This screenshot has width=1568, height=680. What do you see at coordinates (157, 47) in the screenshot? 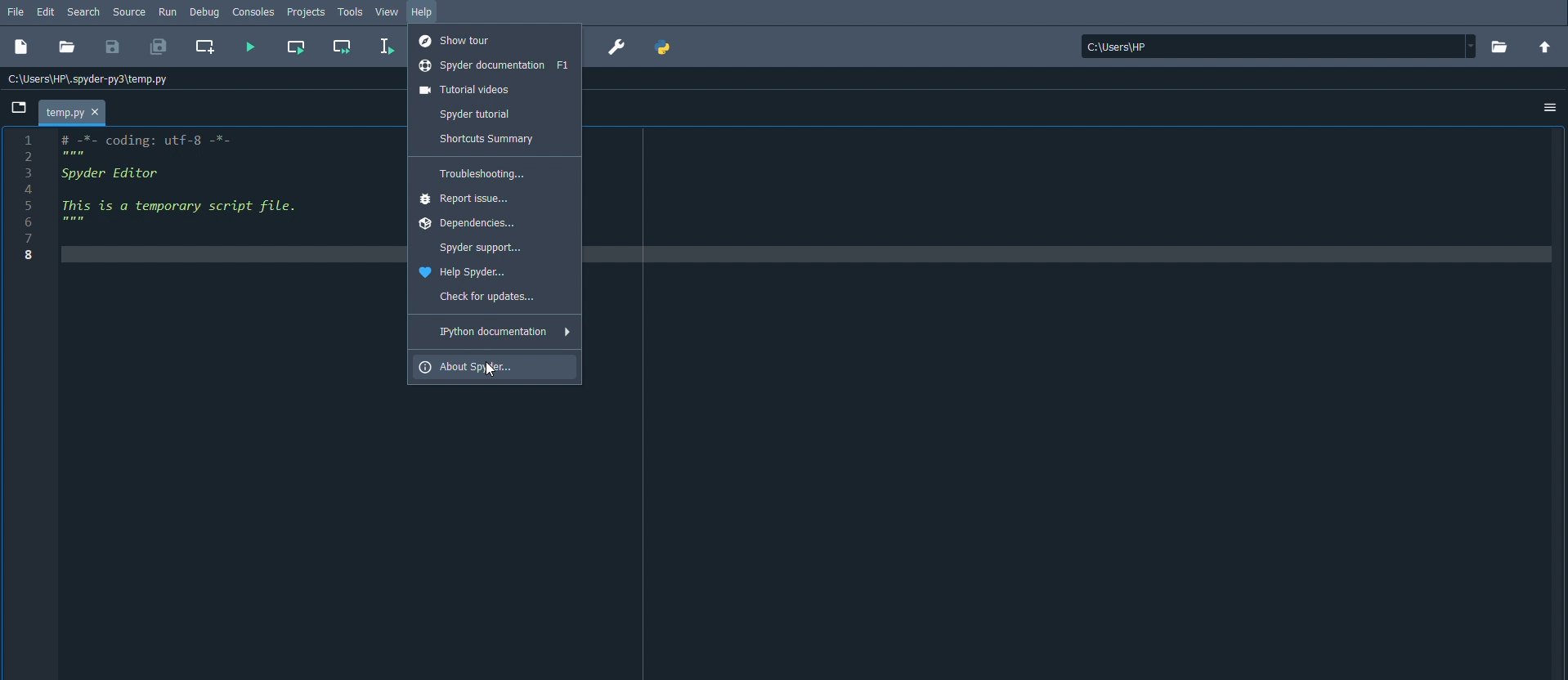
I see `Save all files` at bounding box center [157, 47].